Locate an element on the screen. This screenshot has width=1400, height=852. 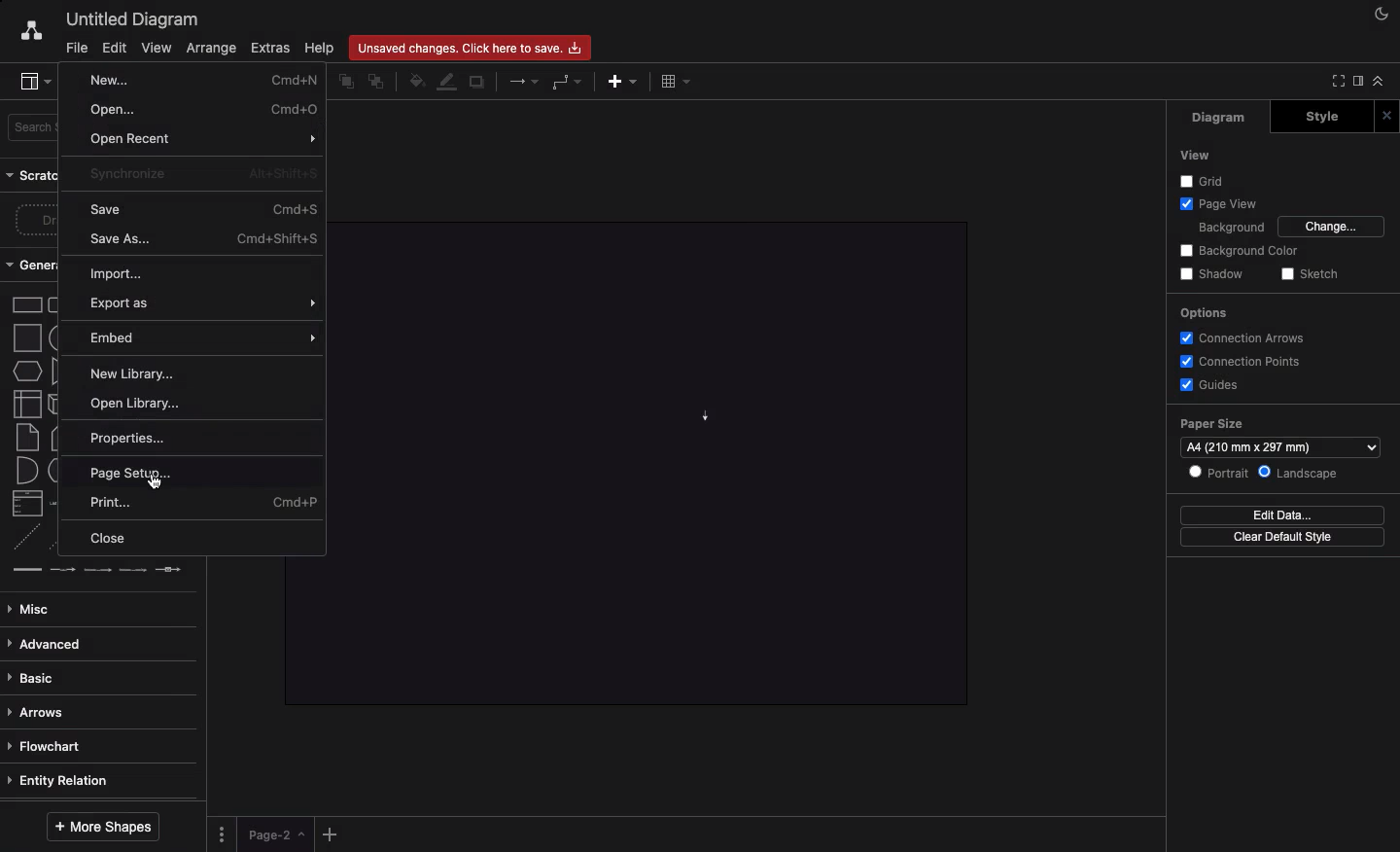
Change is located at coordinates (1333, 227).